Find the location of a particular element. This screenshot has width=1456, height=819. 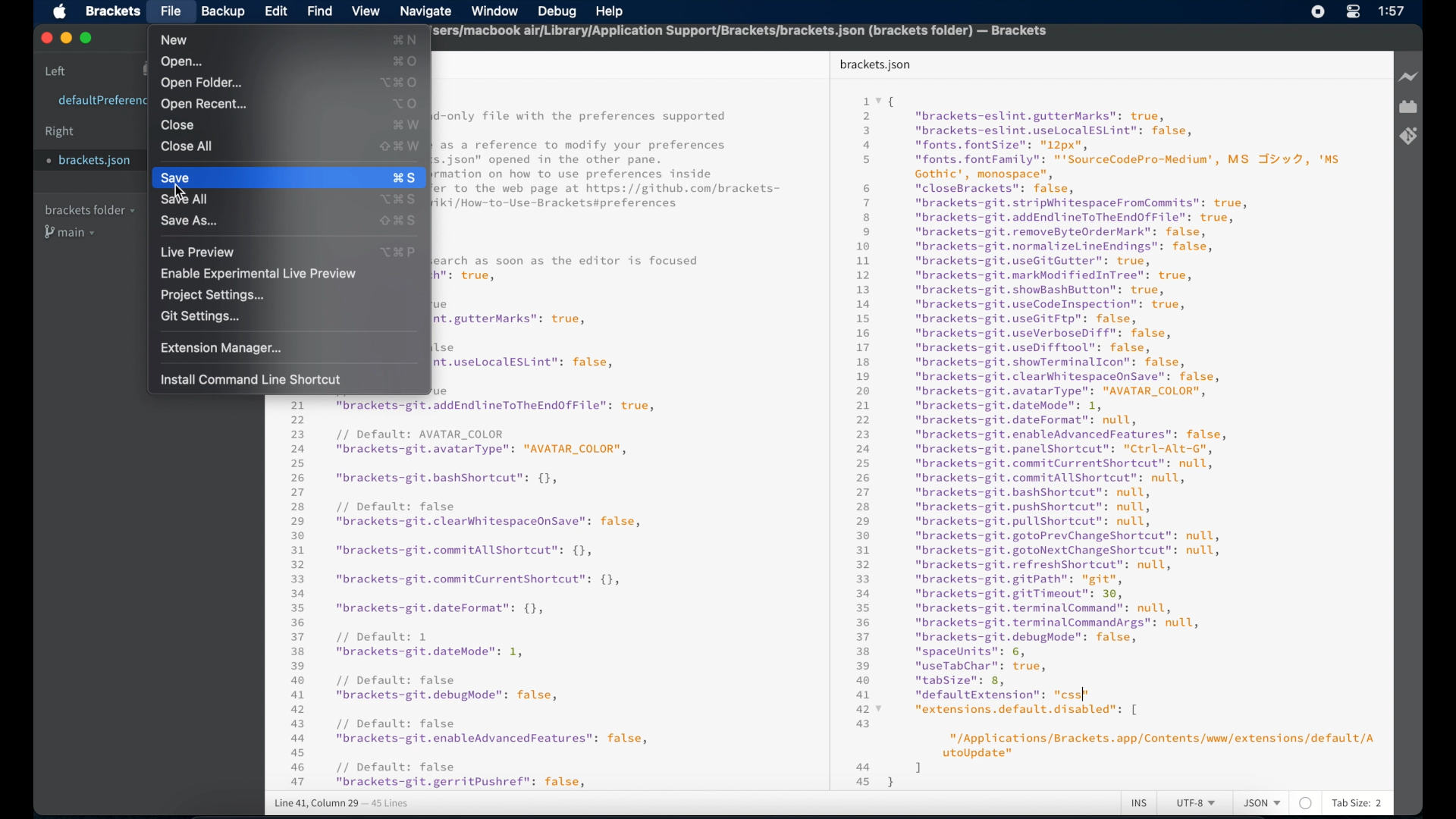

-only file with the preferences supported
as a reference to modify your preferences
5. json" opened in the other pane.

rmation on how to use preferences inside
fer to the web page at https://github.com/brackets-
ki /How-to-Use-Brackets#preferences

earch as soon as the editor is focused

fh": true,

e

nt.gutterMarks": true,

lse

nt.useLocalESLint": false,

Rie is located at coordinates (605, 252).